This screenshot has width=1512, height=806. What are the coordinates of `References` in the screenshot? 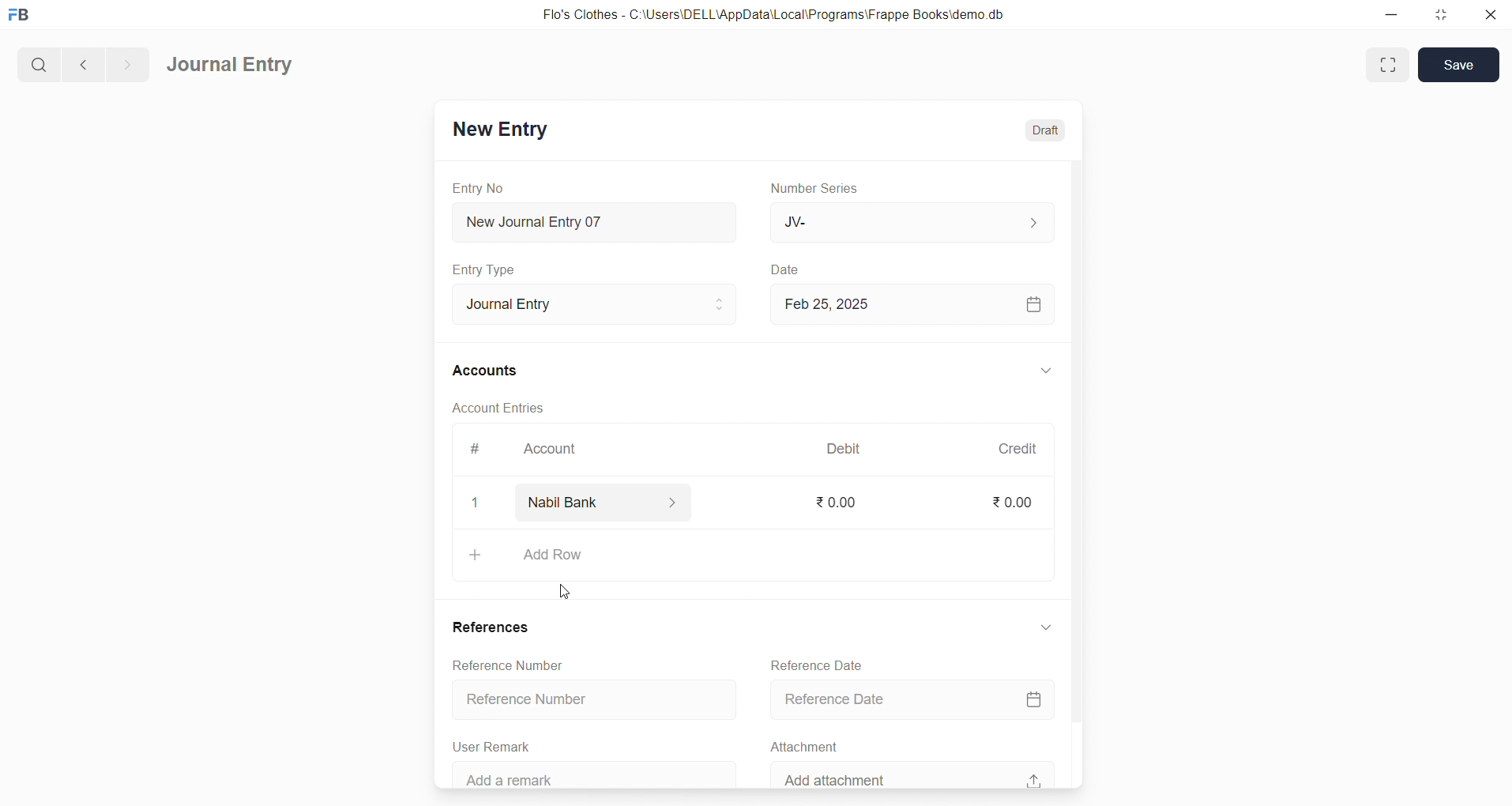 It's located at (495, 627).